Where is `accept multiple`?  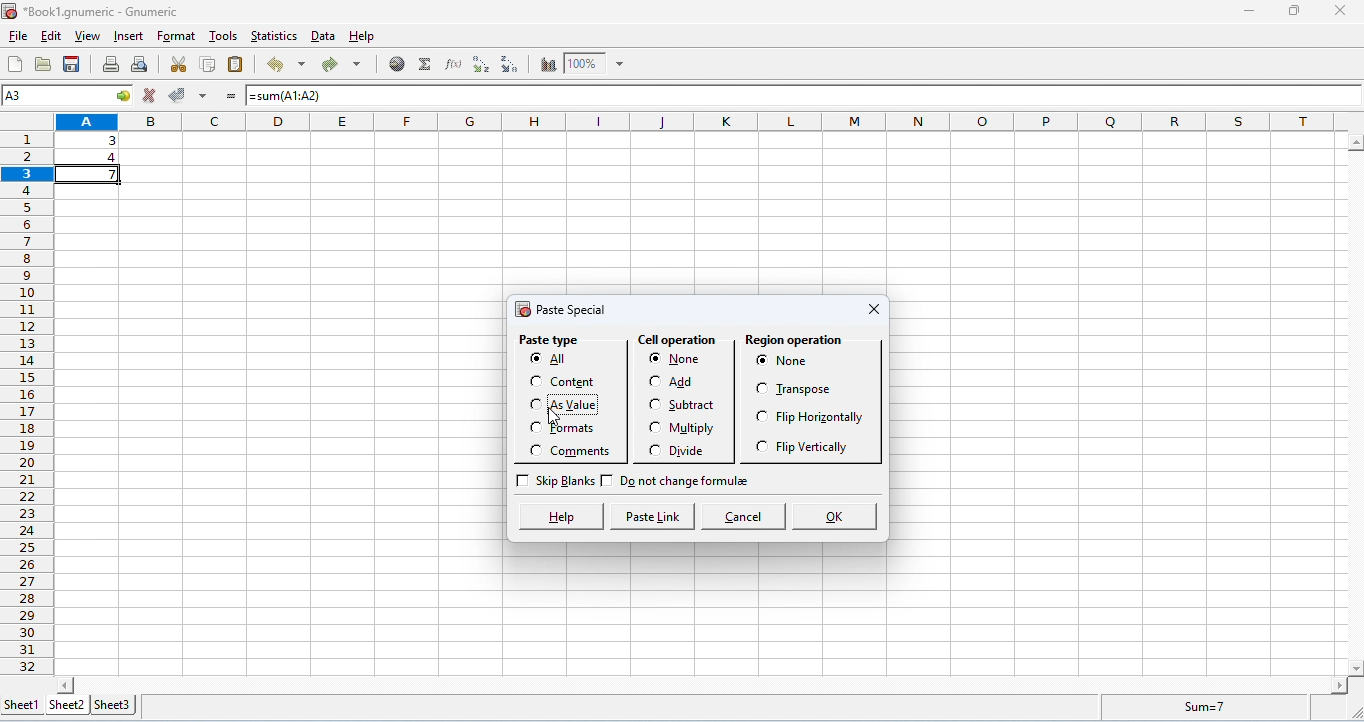 accept multiple is located at coordinates (204, 97).